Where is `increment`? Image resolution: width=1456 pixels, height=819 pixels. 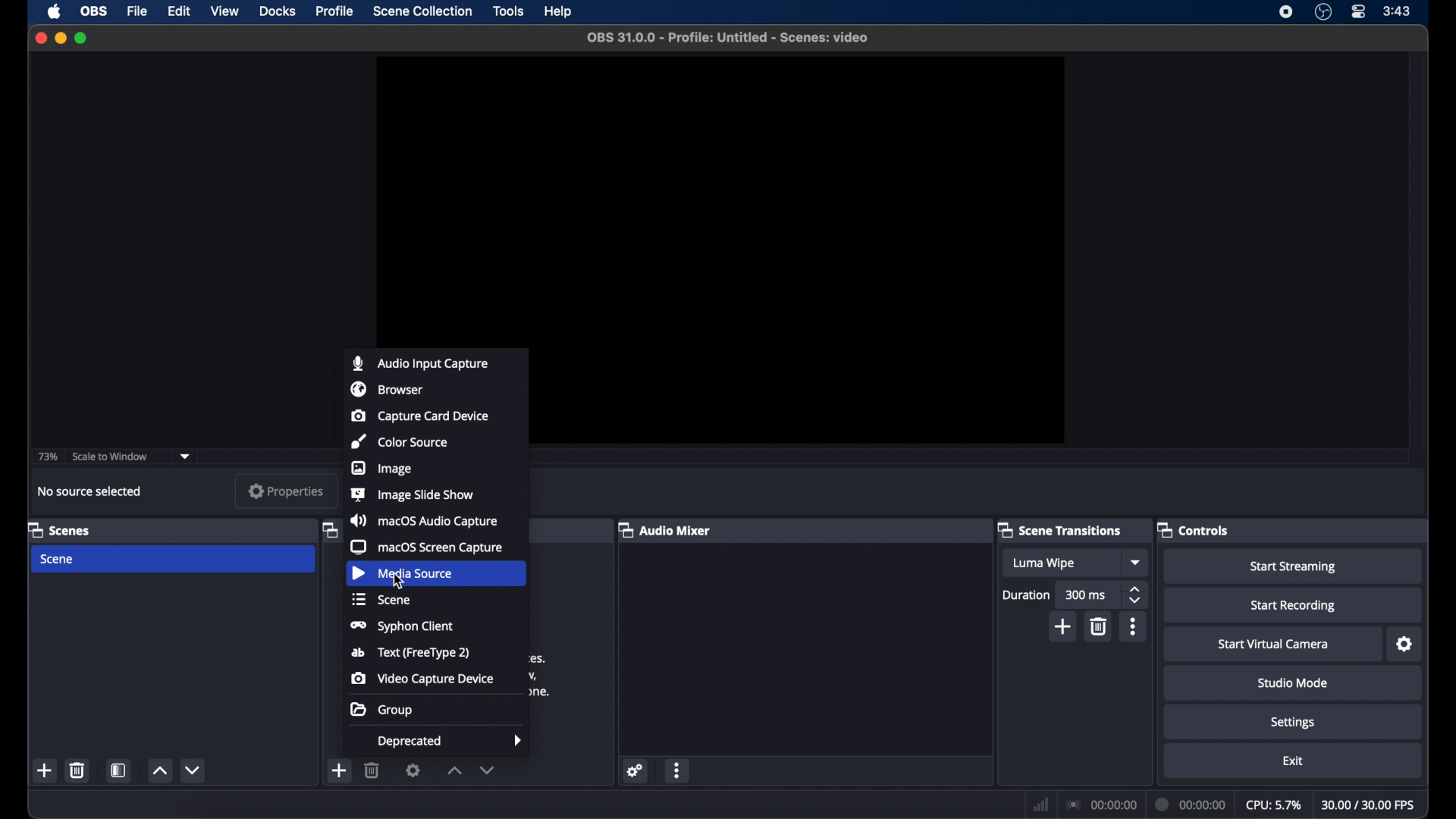 increment is located at coordinates (454, 771).